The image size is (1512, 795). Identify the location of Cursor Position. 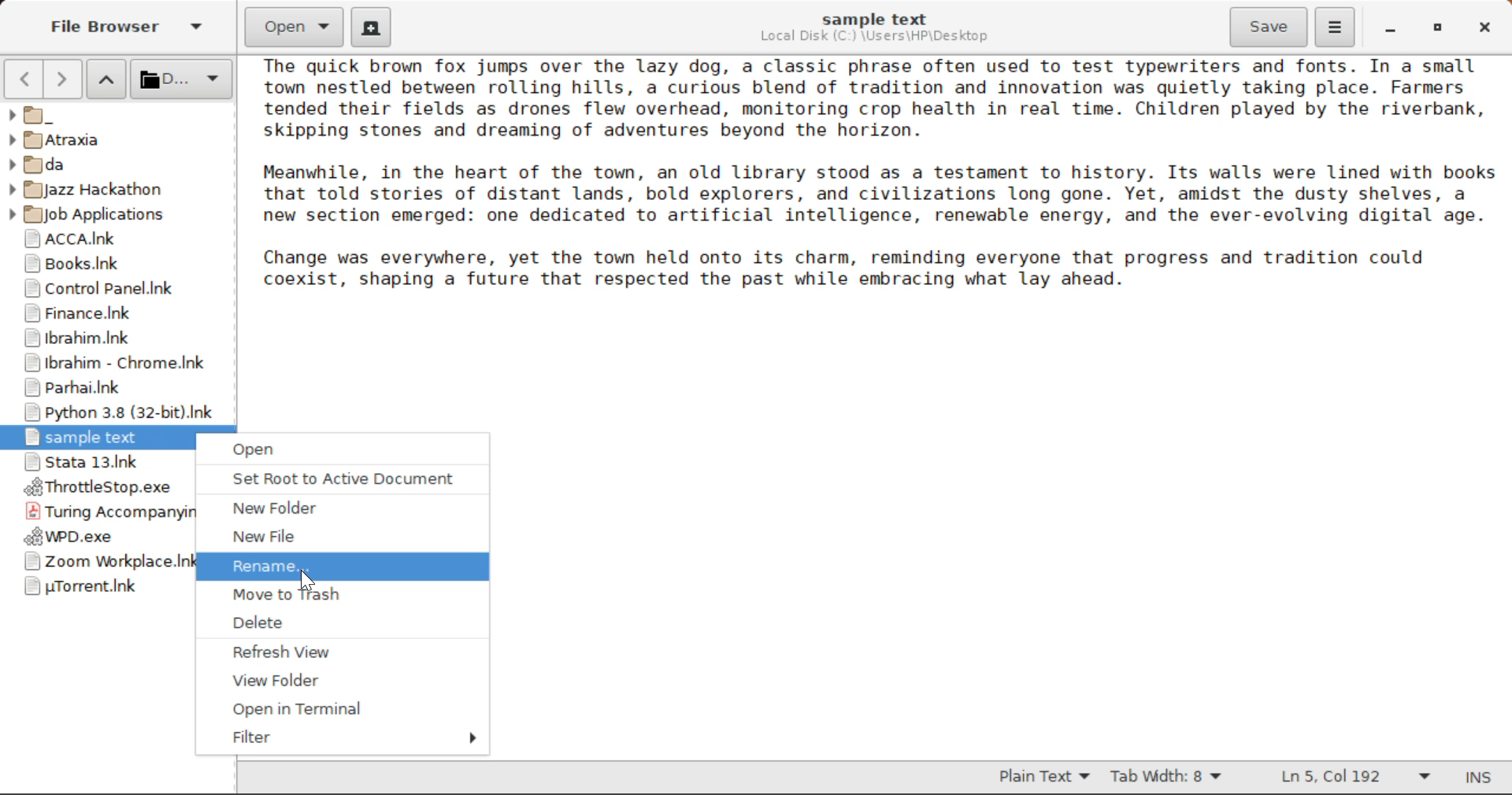
(306, 576).